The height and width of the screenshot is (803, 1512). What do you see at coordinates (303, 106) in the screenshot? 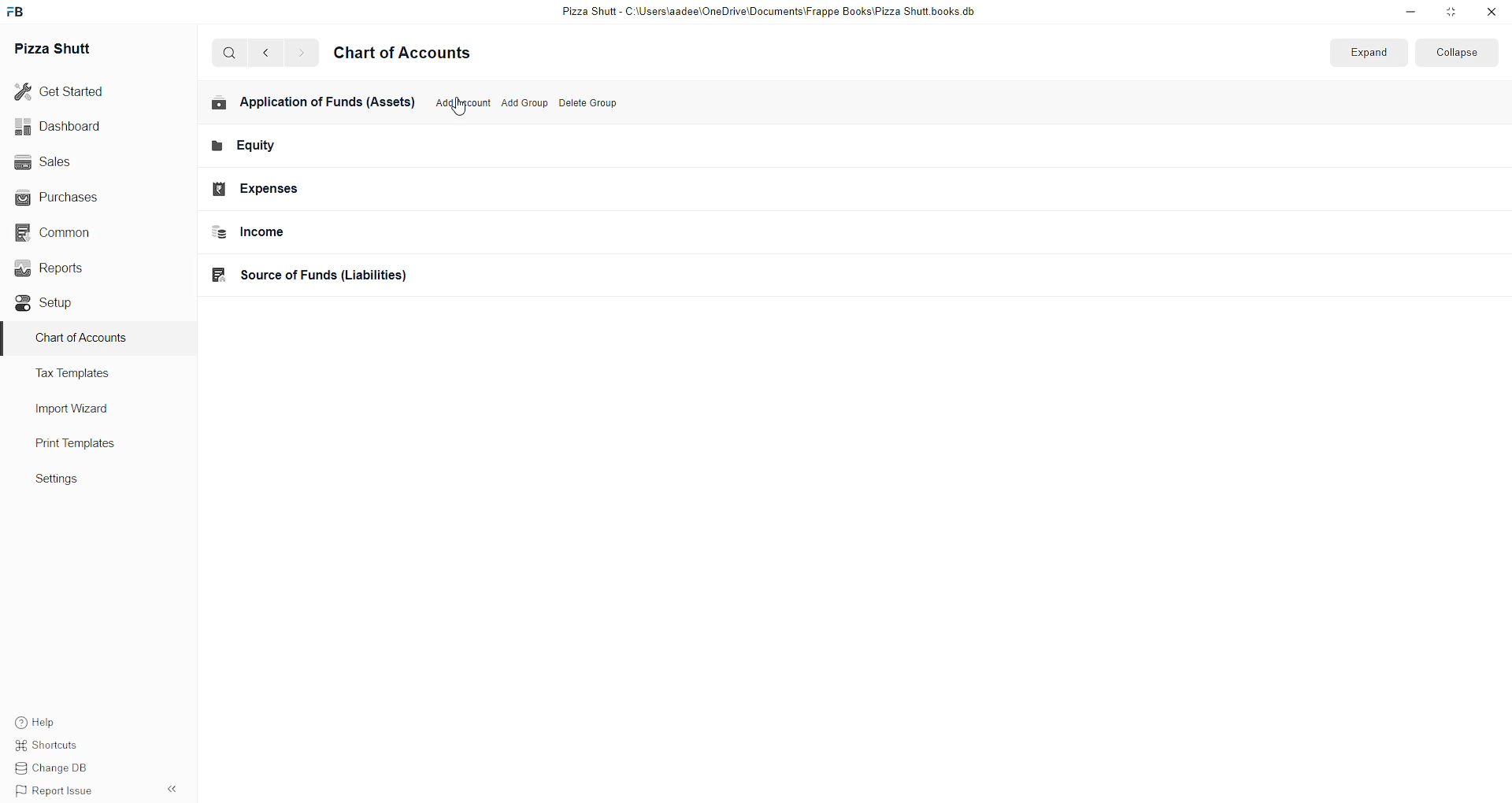
I see `Application of funds(Assets)` at bounding box center [303, 106].